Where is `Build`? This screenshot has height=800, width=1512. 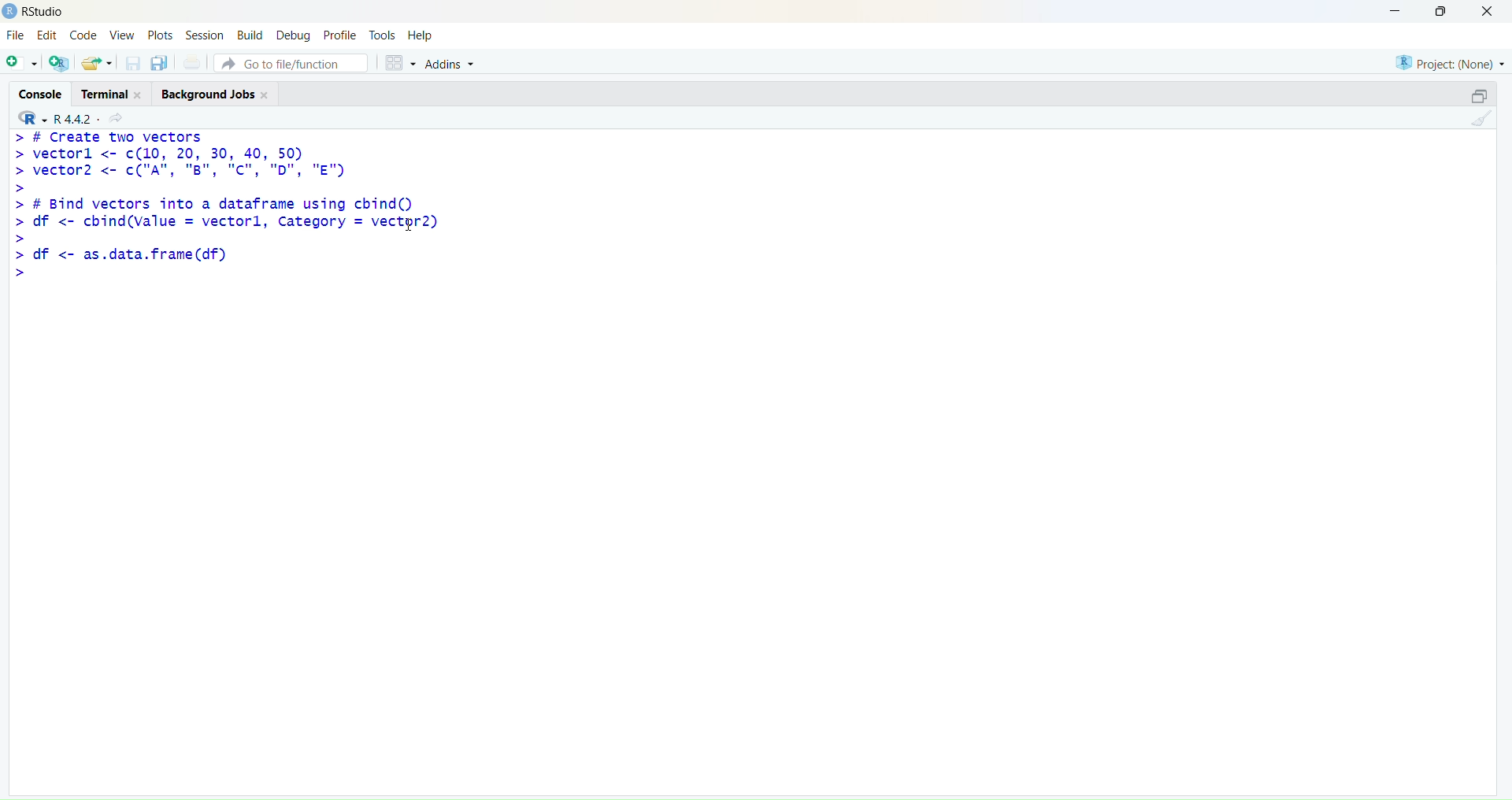 Build is located at coordinates (250, 34).